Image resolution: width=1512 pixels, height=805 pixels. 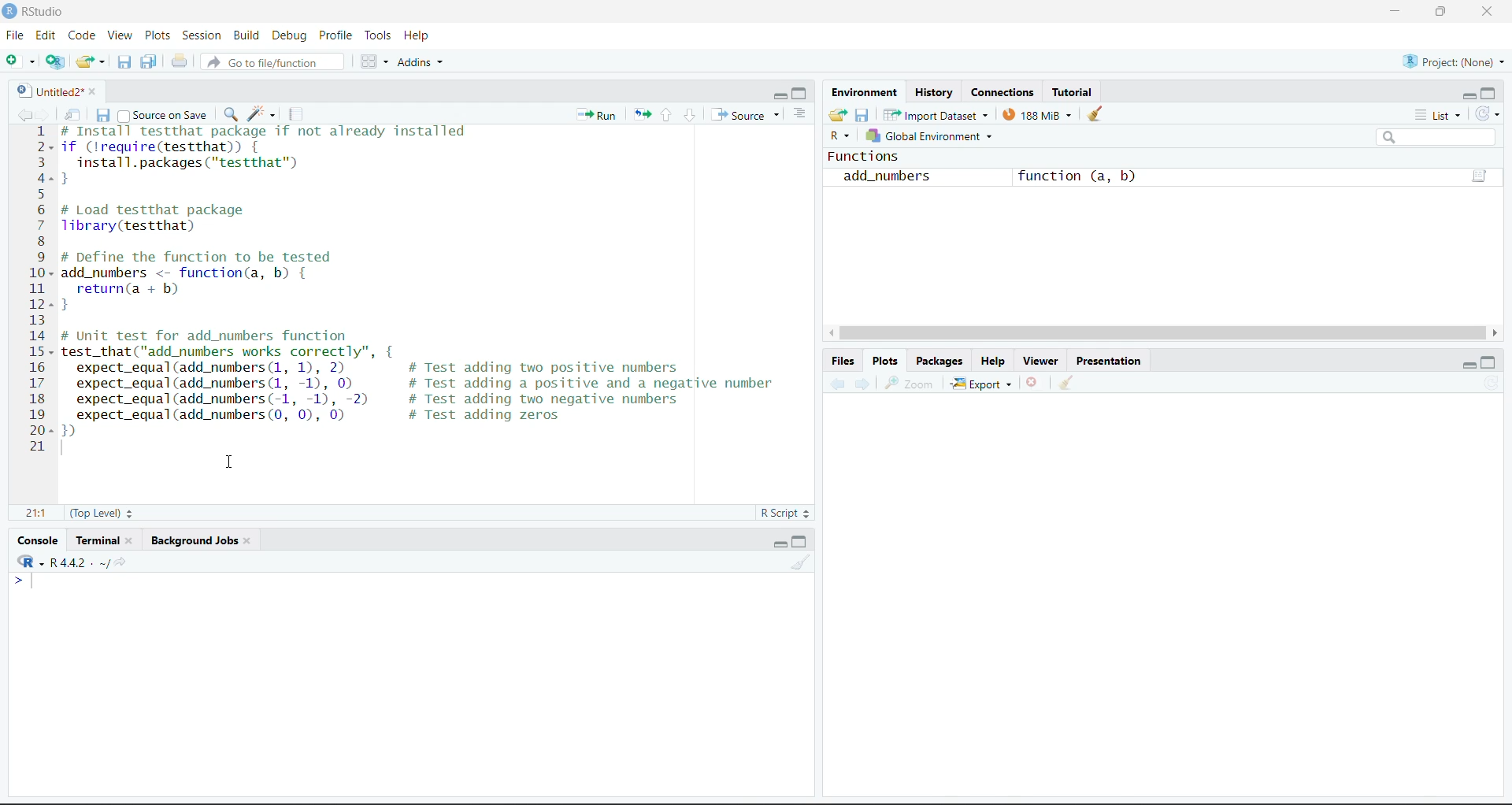 I want to click on Packages, so click(x=939, y=361).